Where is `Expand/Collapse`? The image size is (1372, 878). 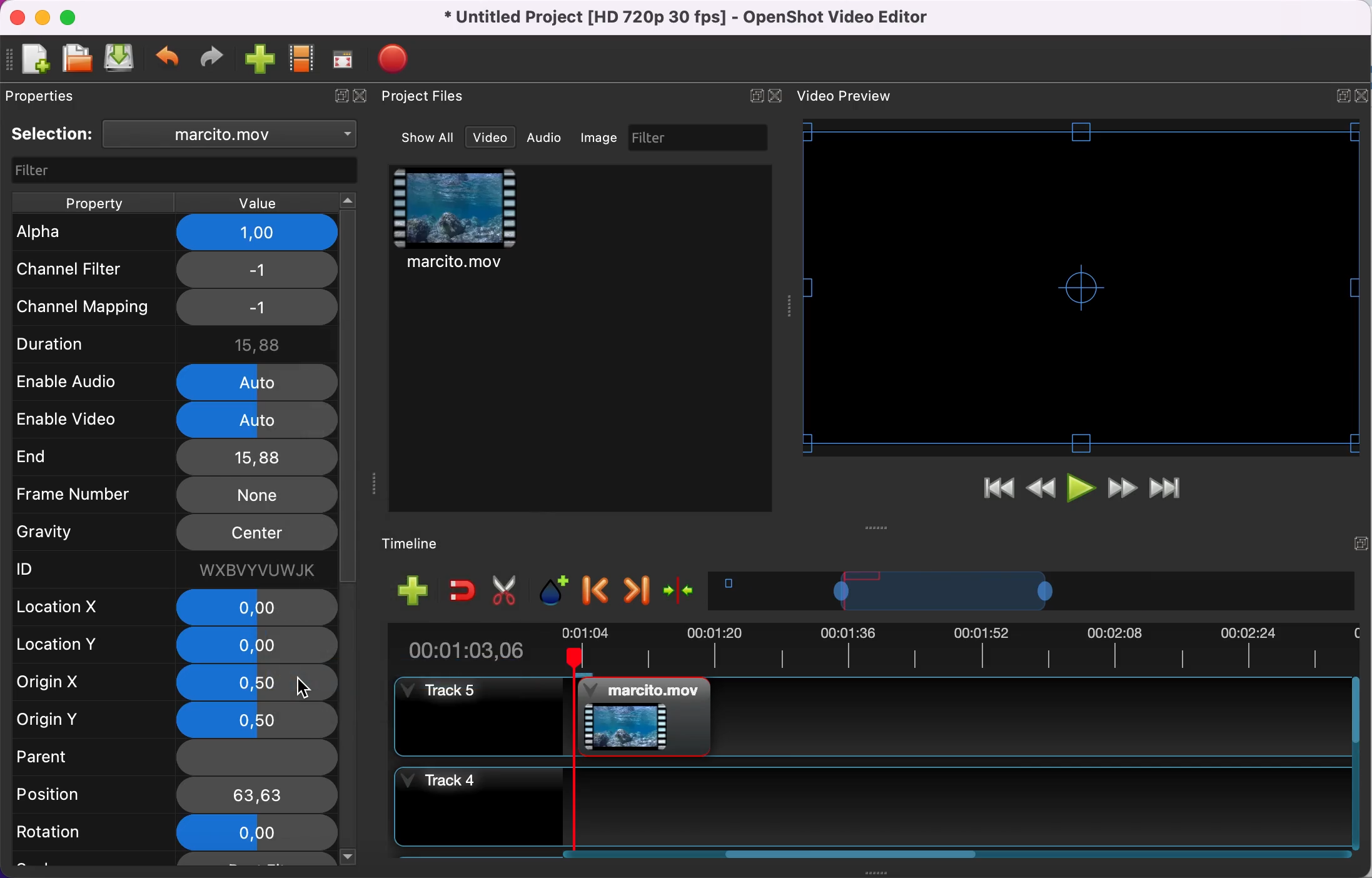 Expand/Collapse is located at coordinates (756, 96).